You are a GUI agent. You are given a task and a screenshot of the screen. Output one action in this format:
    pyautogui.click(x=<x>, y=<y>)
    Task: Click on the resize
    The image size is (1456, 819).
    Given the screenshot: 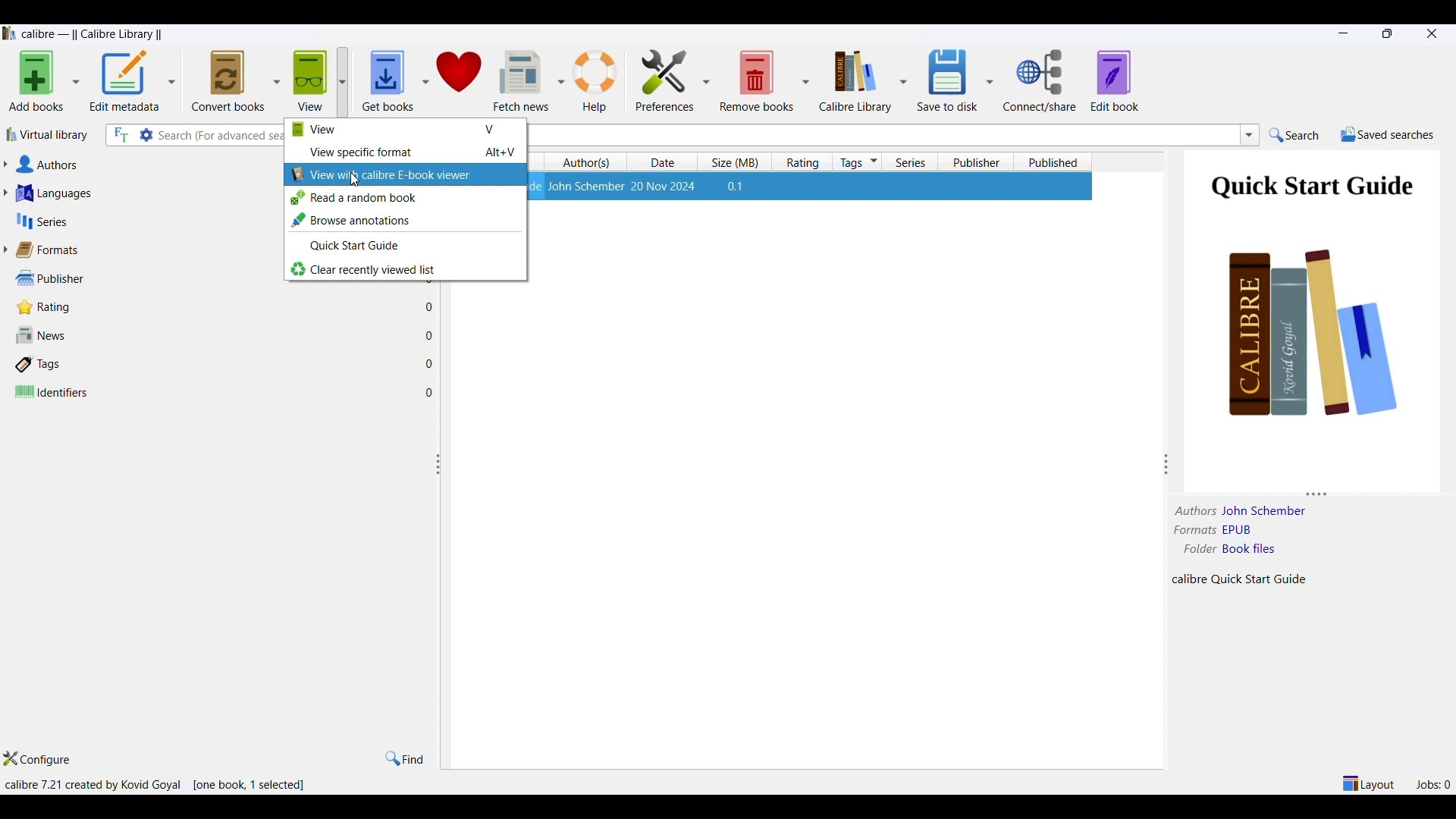 What is the action you would take?
    pyautogui.click(x=1320, y=490)
    